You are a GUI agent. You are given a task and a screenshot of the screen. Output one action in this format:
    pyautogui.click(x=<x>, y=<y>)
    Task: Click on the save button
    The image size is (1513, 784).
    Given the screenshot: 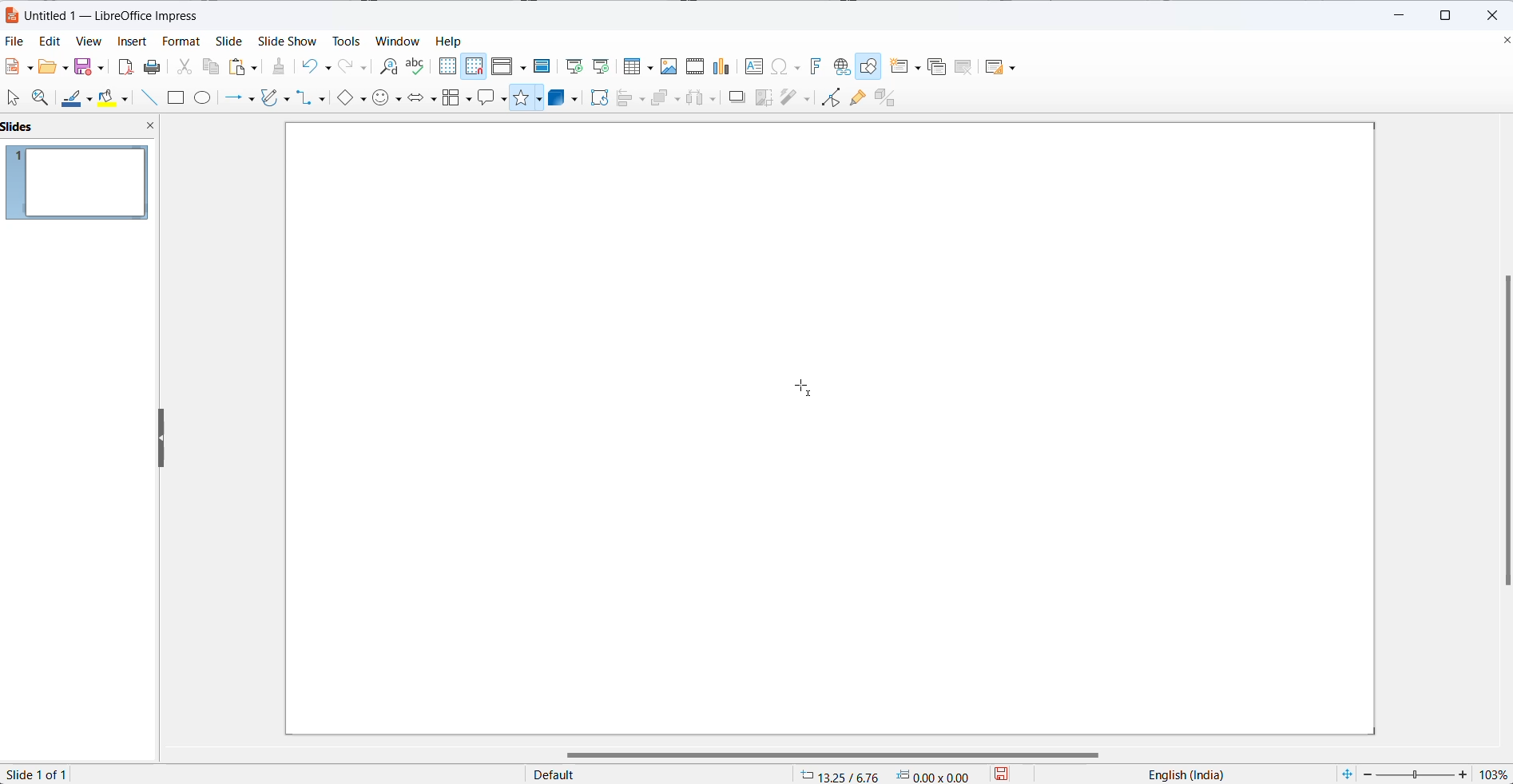 What is the action you would take?
    pyautogui.click(x=1011, y=774)
    